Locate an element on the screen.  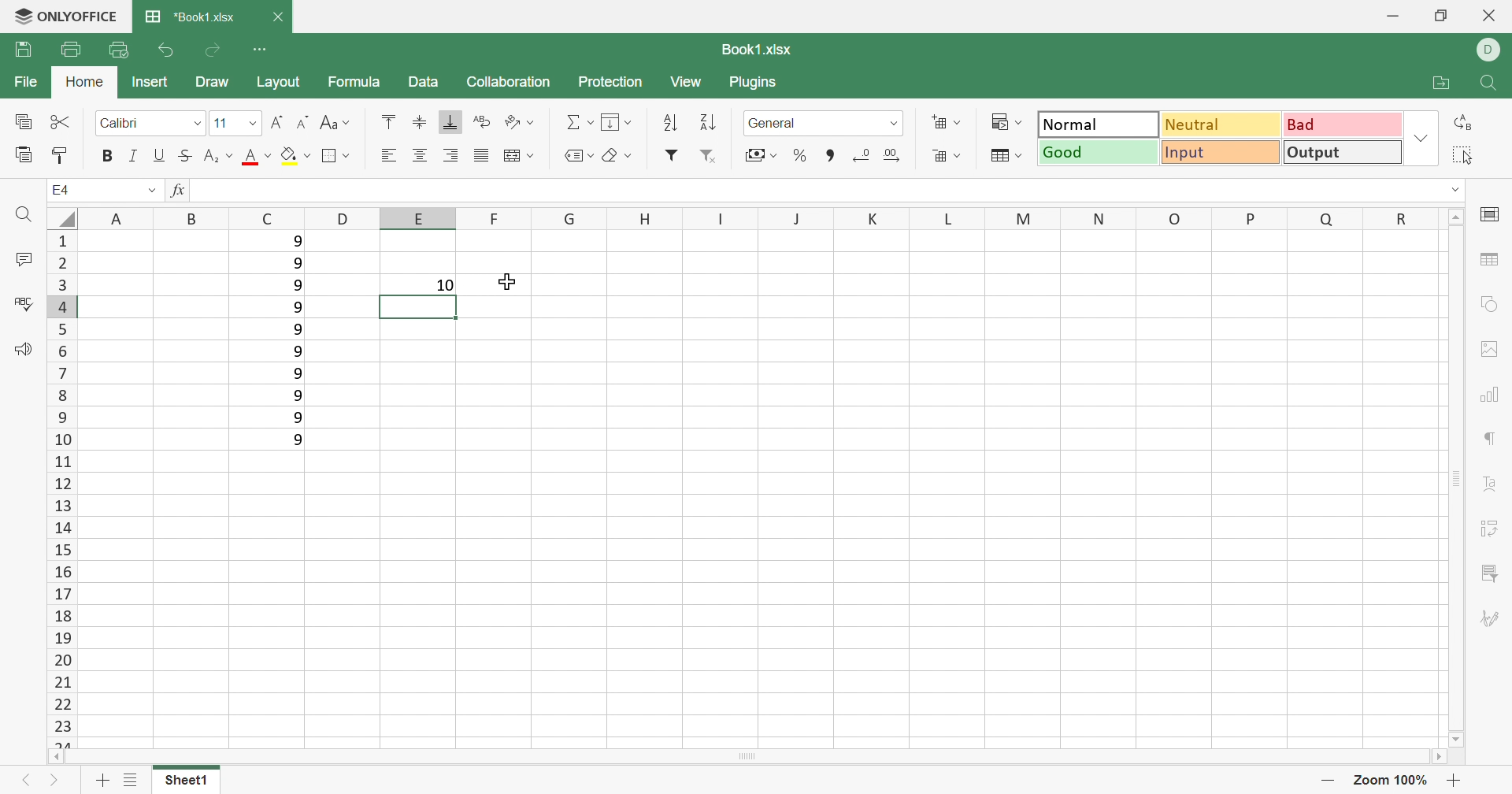
Replace is located at coordinates (1464, 124).